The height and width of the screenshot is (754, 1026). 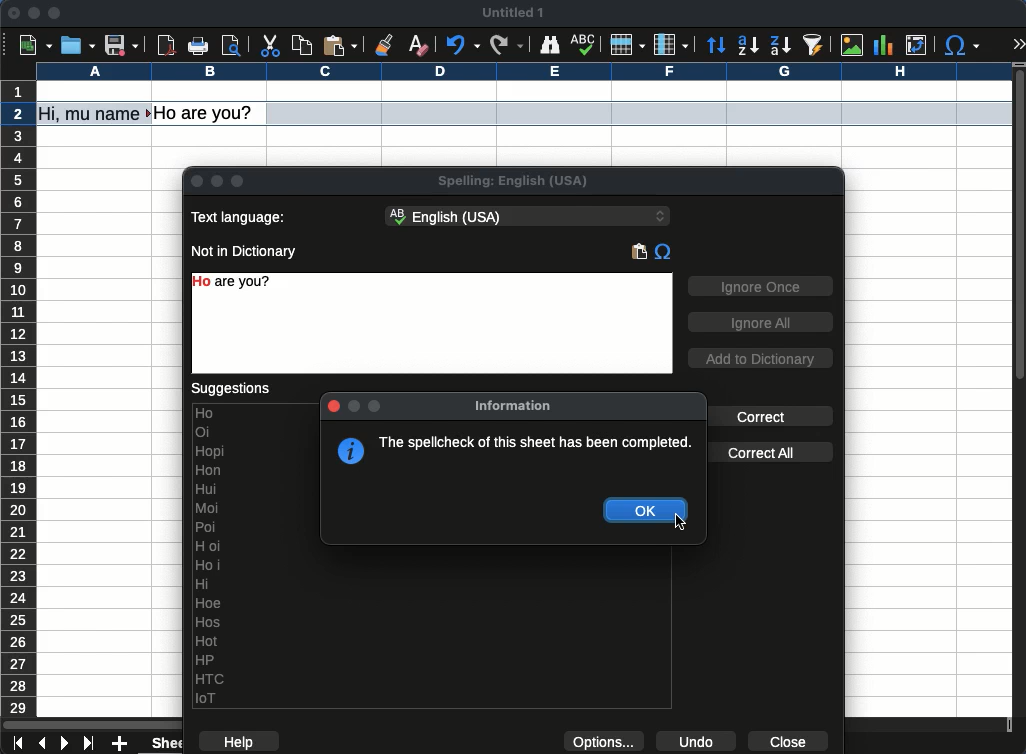 I want to click on correct, so click(x=769, y=416).